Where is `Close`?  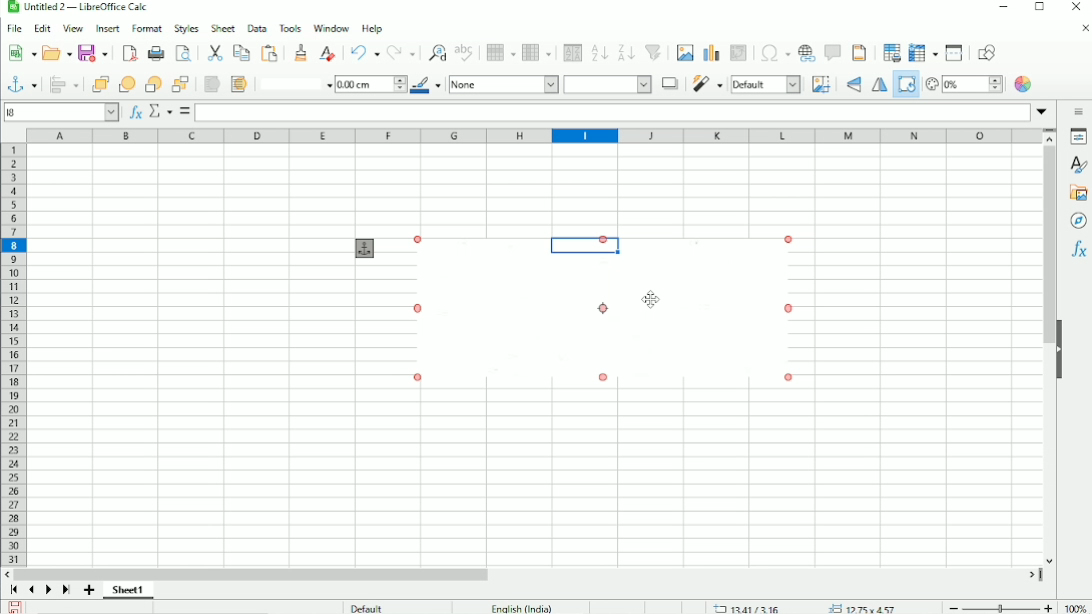
Close is located at coordinates (1075, 7).